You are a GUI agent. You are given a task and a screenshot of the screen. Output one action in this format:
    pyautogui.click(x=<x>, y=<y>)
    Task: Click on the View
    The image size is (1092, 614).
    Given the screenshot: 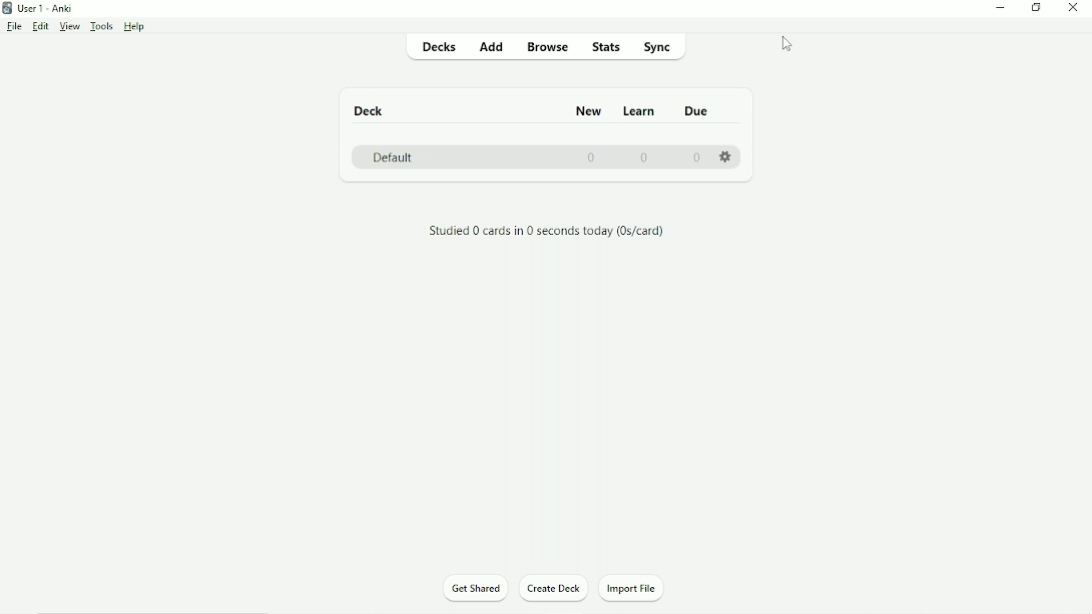 What is the action you would take?
    pyautogui.click(x=70, y=27)
    